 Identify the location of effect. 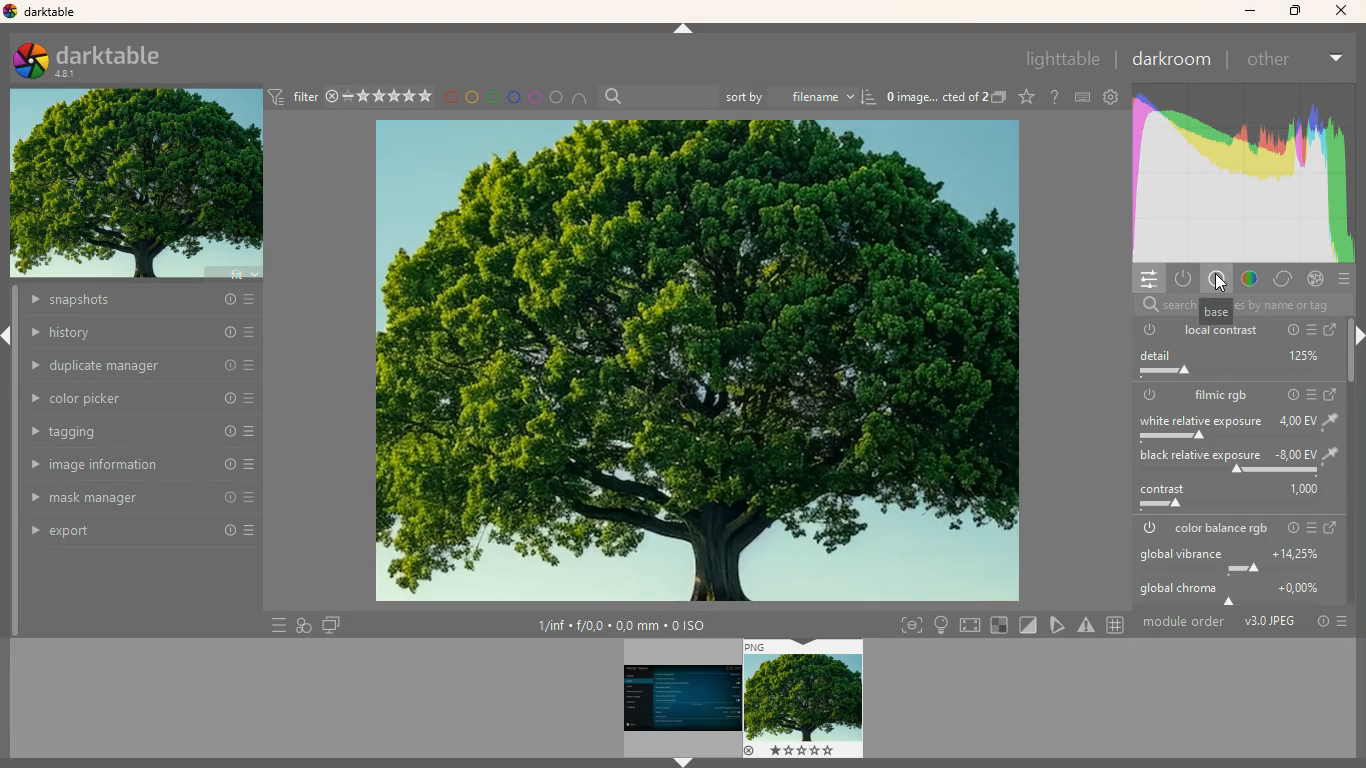
(1316, 280).